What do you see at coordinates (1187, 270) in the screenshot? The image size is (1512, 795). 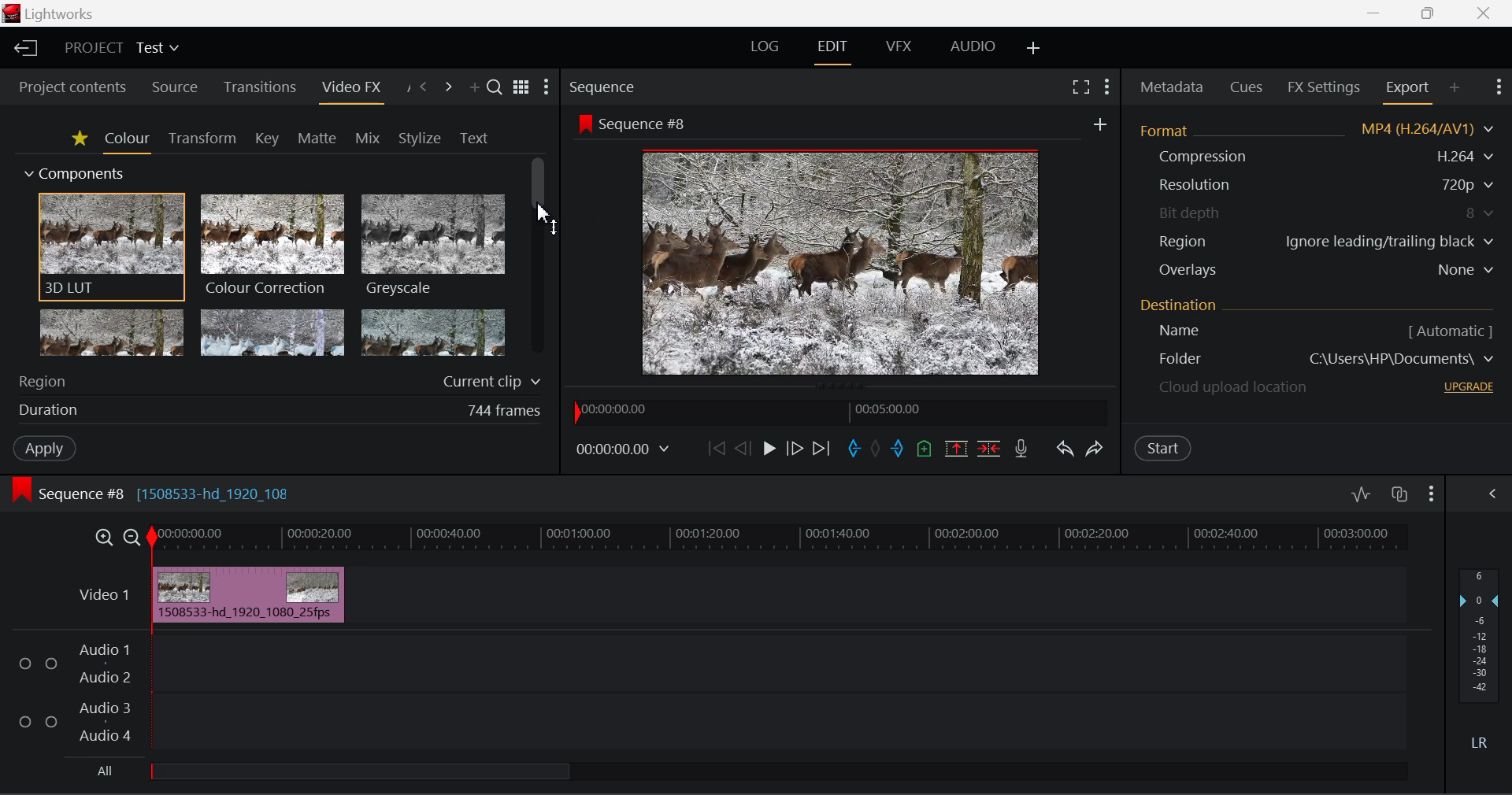 I see `Overlays` at bounding box center [1187, 270].